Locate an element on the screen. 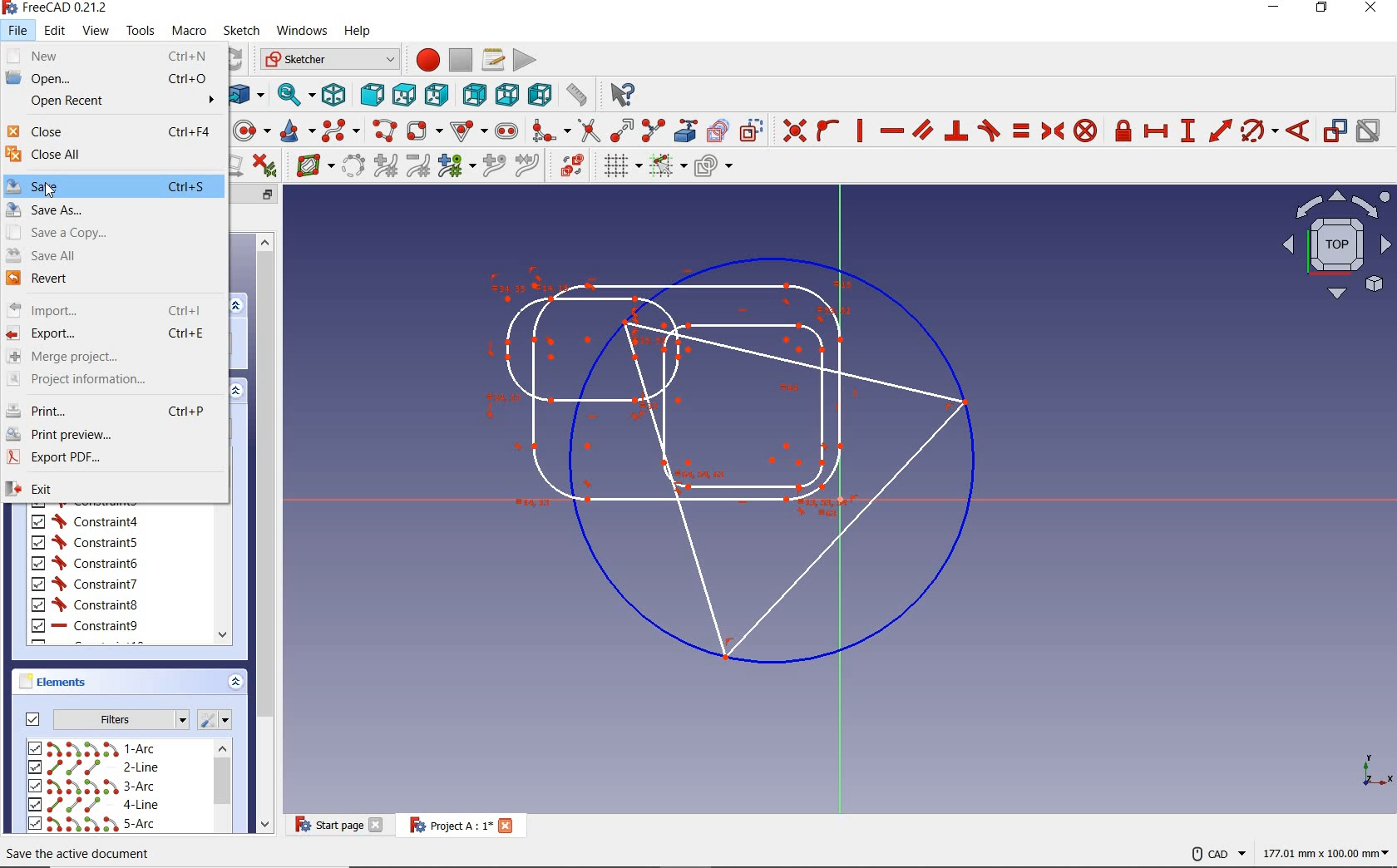 This screenshot has height=868, width=1397. decrease B-spline decrease is located at coordinates (419, 167).